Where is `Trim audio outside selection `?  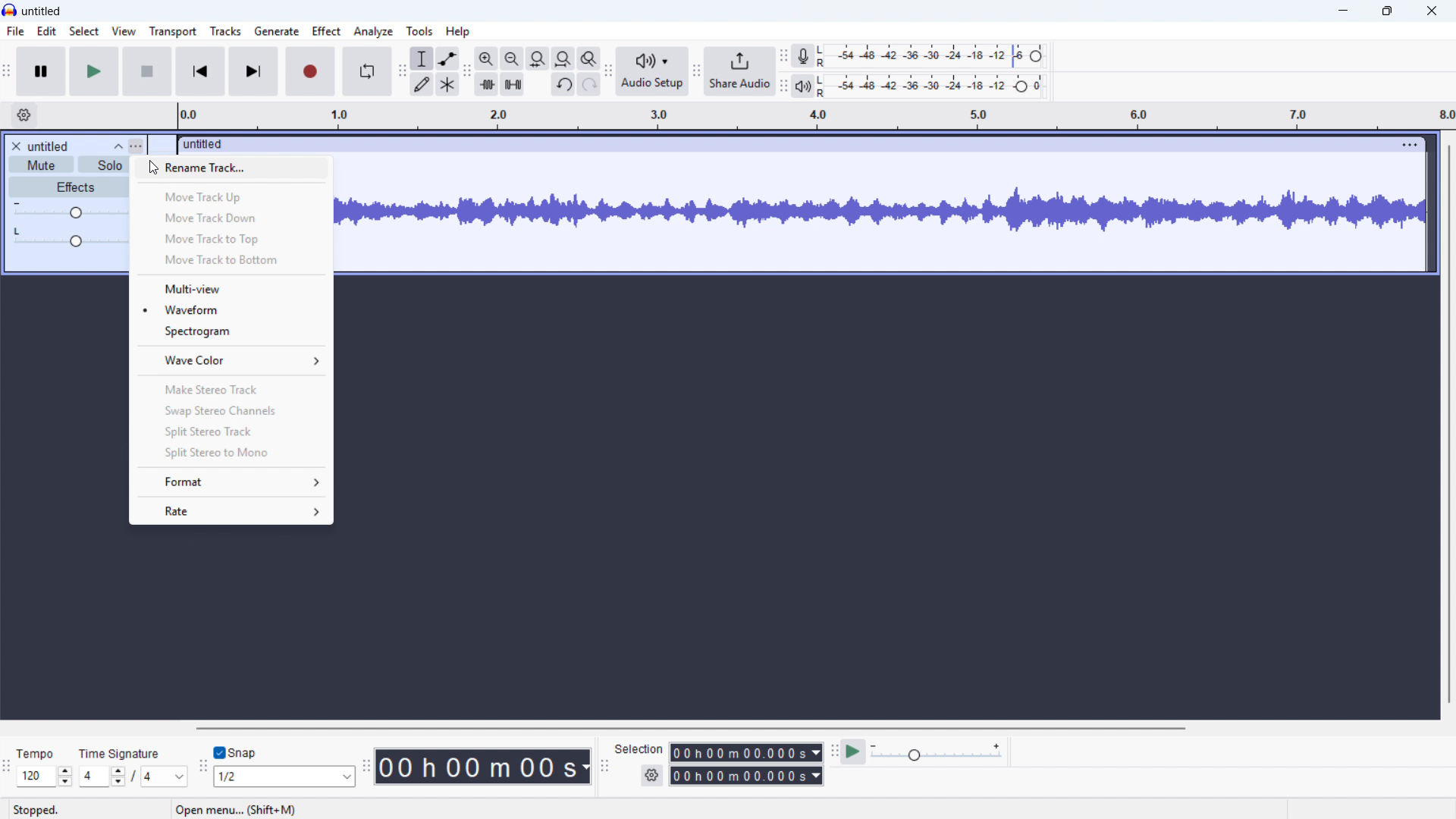
Trim audio outside selection  is located at coordinates (487, 83).